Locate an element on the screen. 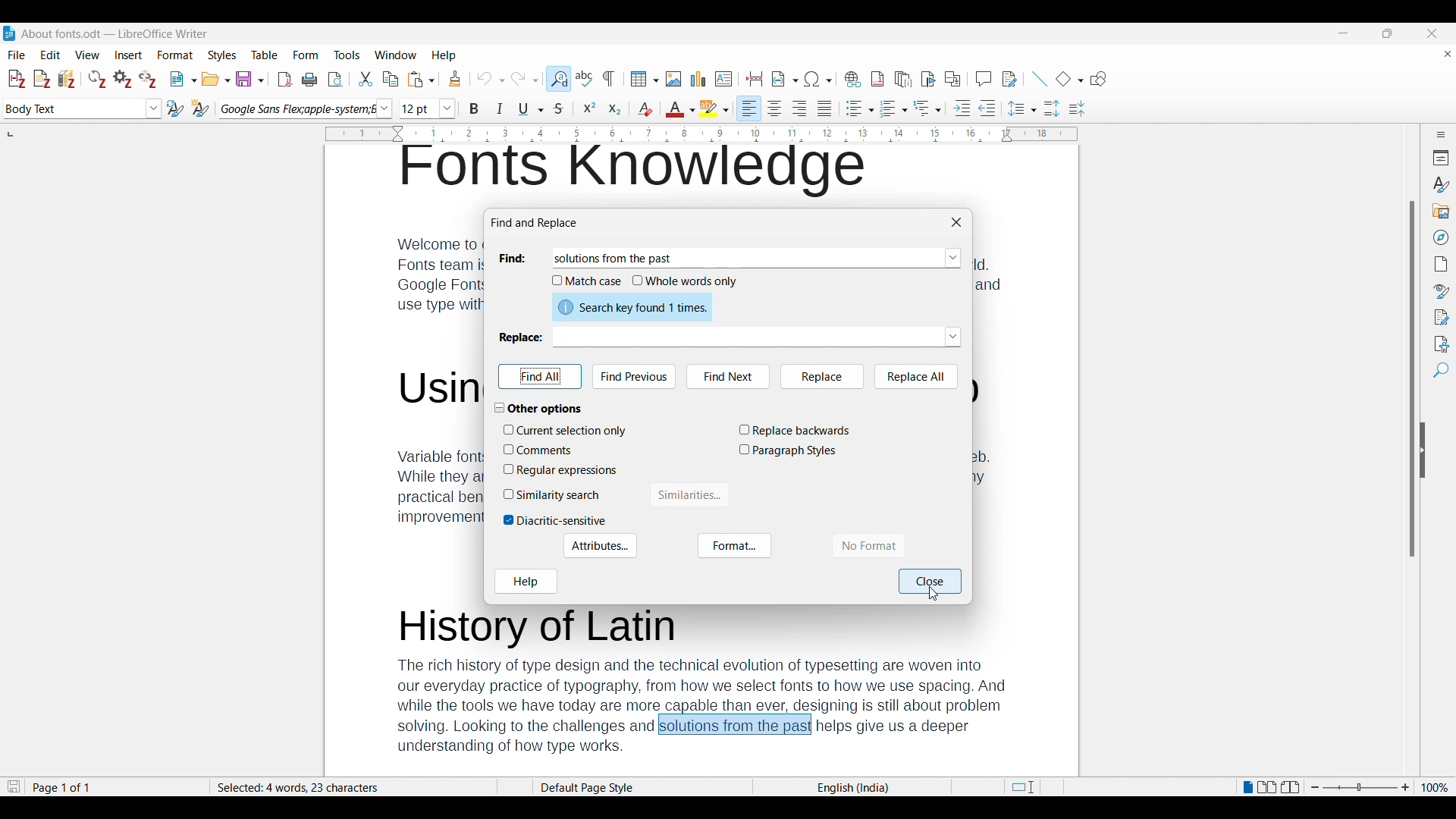  Toggle for Diacritic-sensitive is located at coordinates (555, 521).